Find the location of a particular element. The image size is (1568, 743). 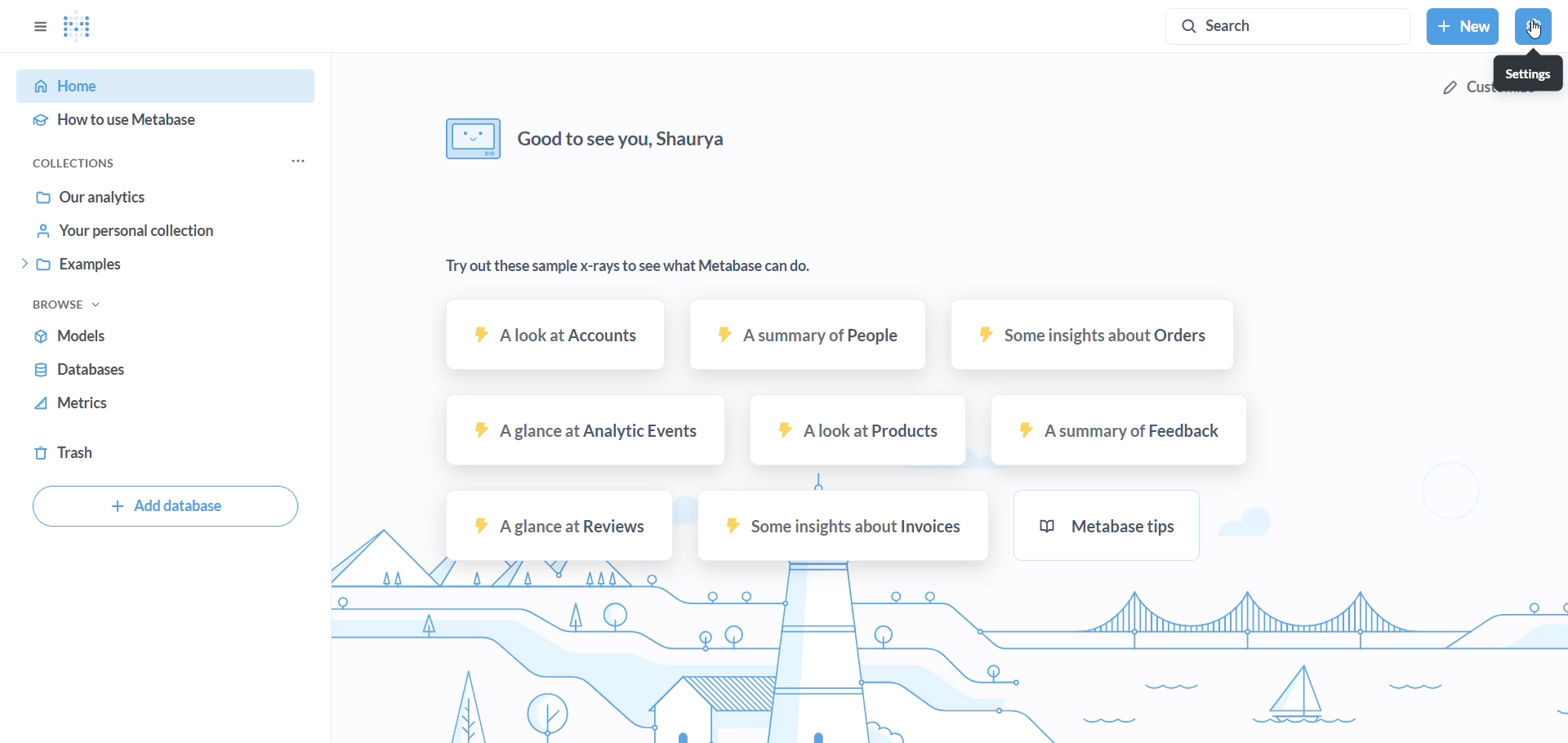

collections is located at coordinates (79, 163).